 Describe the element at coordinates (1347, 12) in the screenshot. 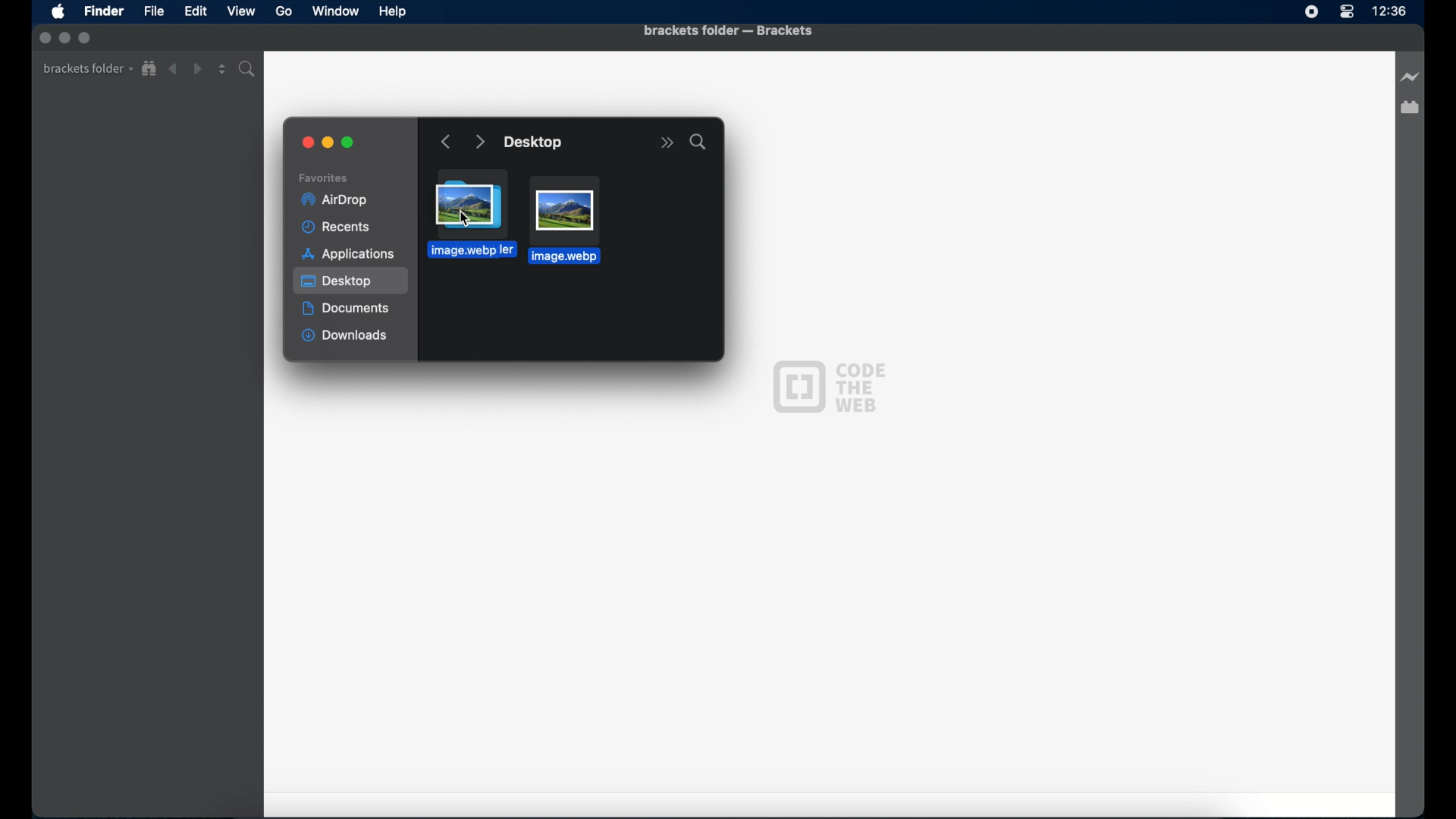

I see `control center` at that location.